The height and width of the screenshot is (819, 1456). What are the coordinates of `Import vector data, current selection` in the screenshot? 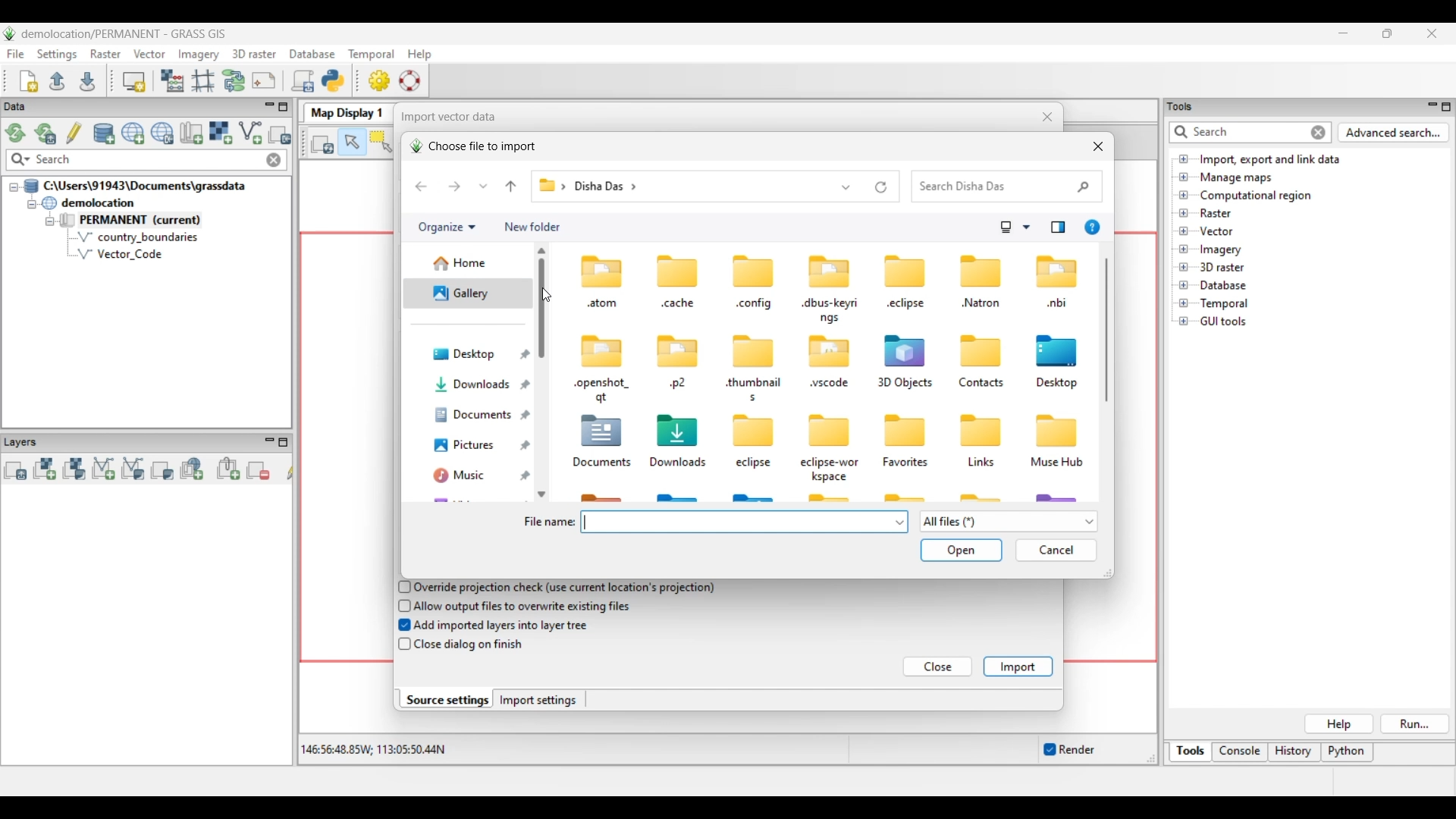 It's located at (250, 133).